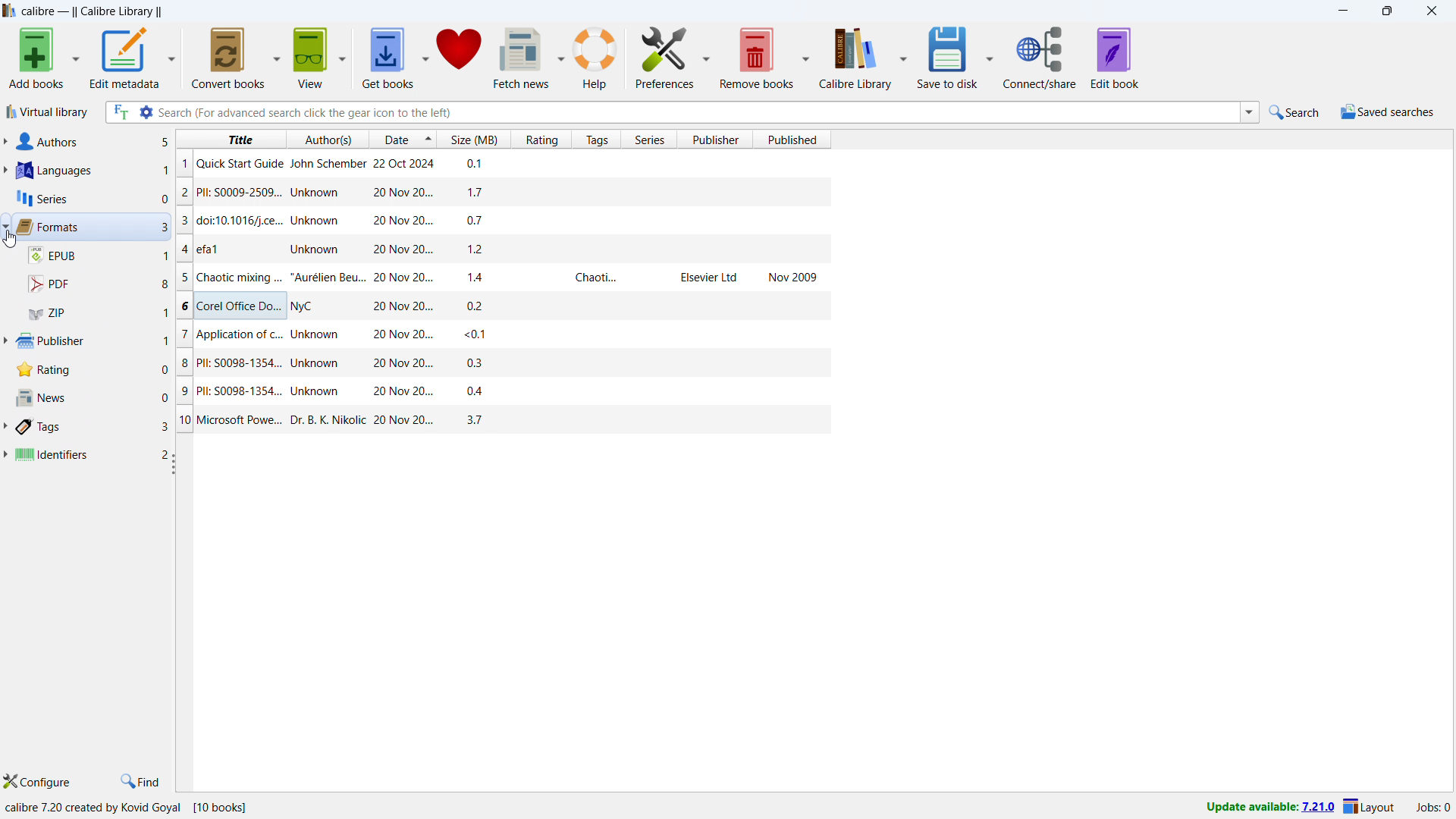 The image size is (1456, 819). What do you see at coordinates (10, 341) in the screenshot?
I see `expand publishers` at bounding box center [10, 341].